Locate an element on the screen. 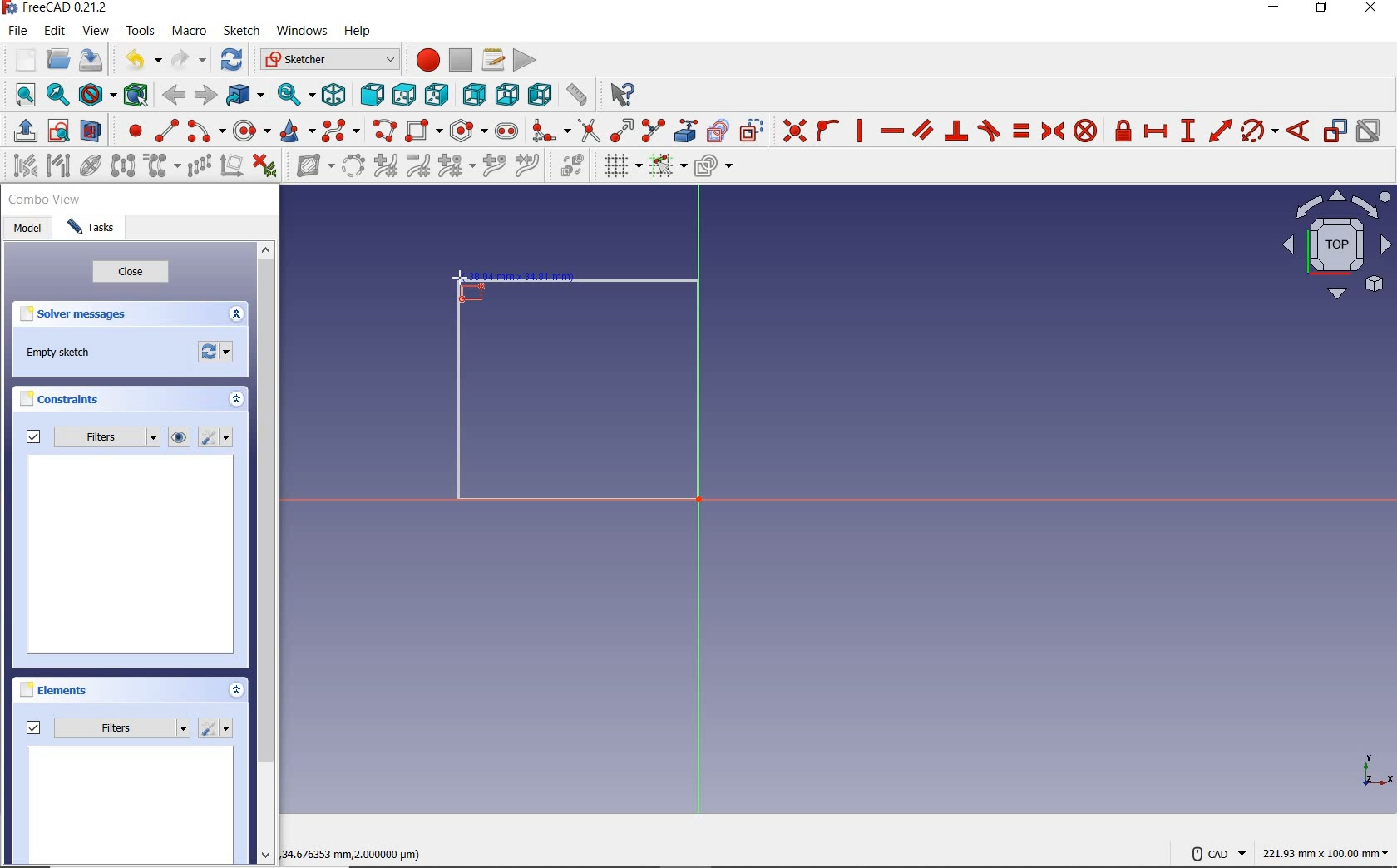  increase b-spline degree is located at coordinates (384, 167).